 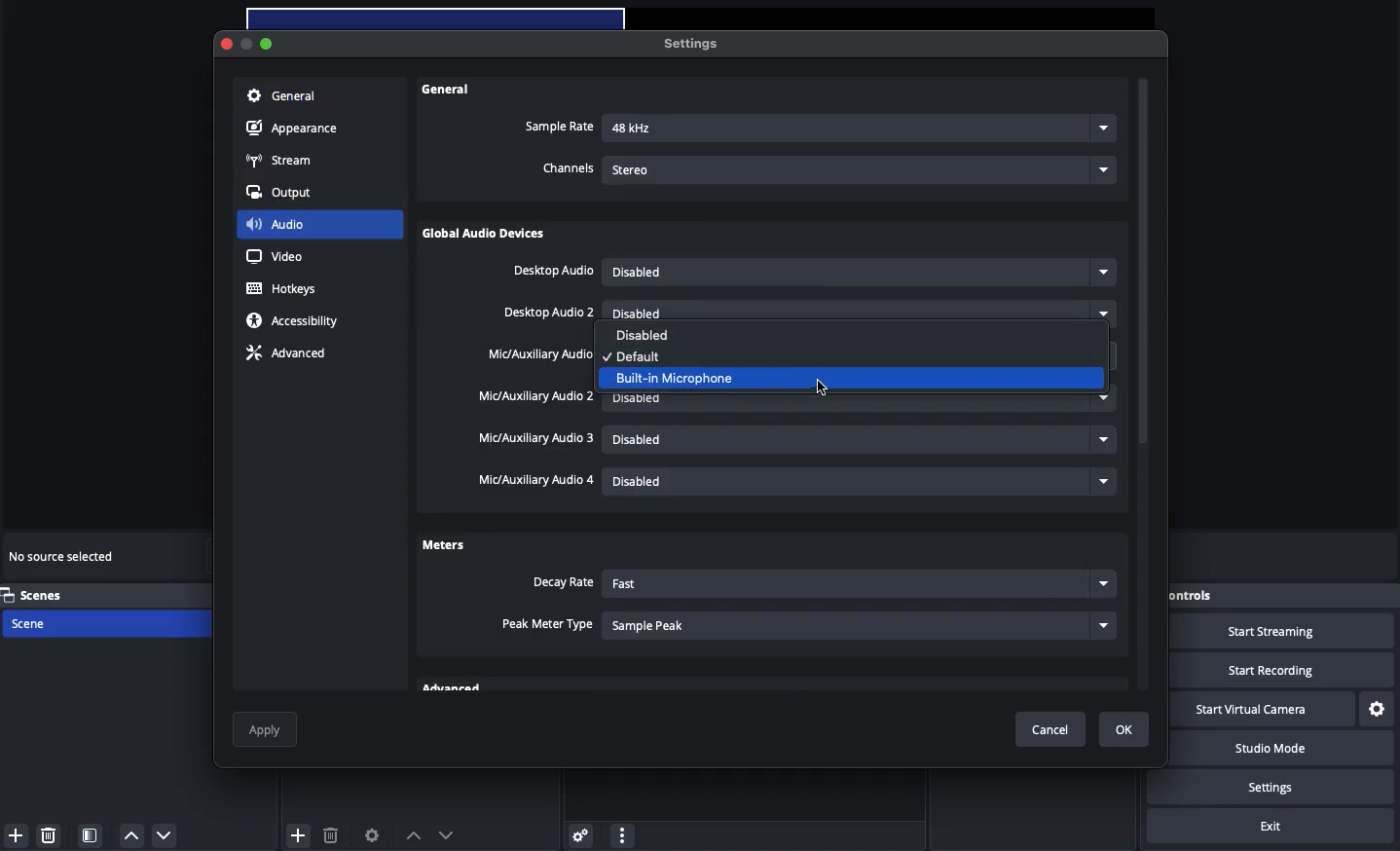 I want to click on Delete, so click(x=51, y=834).